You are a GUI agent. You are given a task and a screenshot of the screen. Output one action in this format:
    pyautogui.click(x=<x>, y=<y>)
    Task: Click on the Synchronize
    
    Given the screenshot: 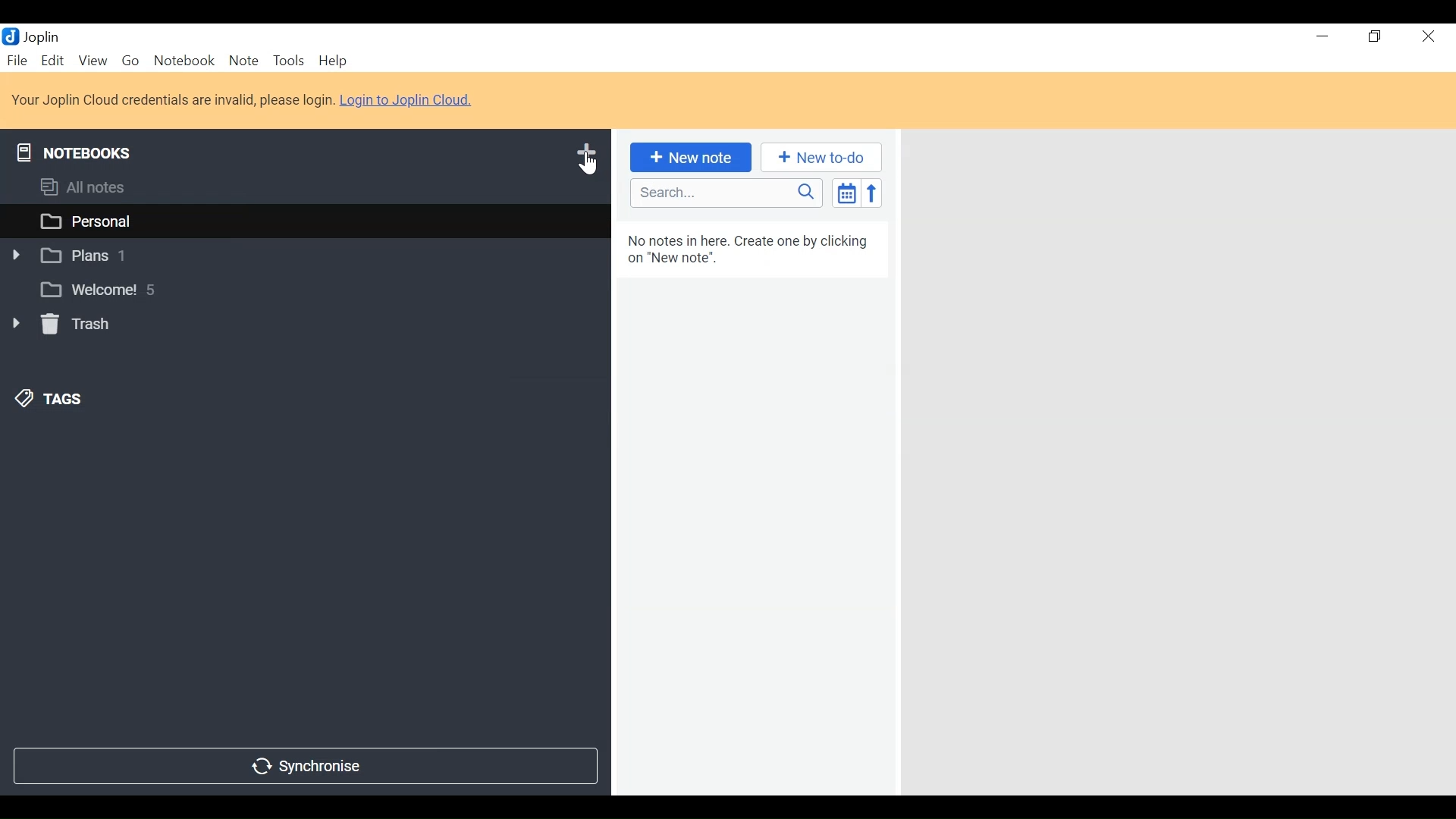 What is the action you would take?
    pyautogui.click(x=303, y=766)
    